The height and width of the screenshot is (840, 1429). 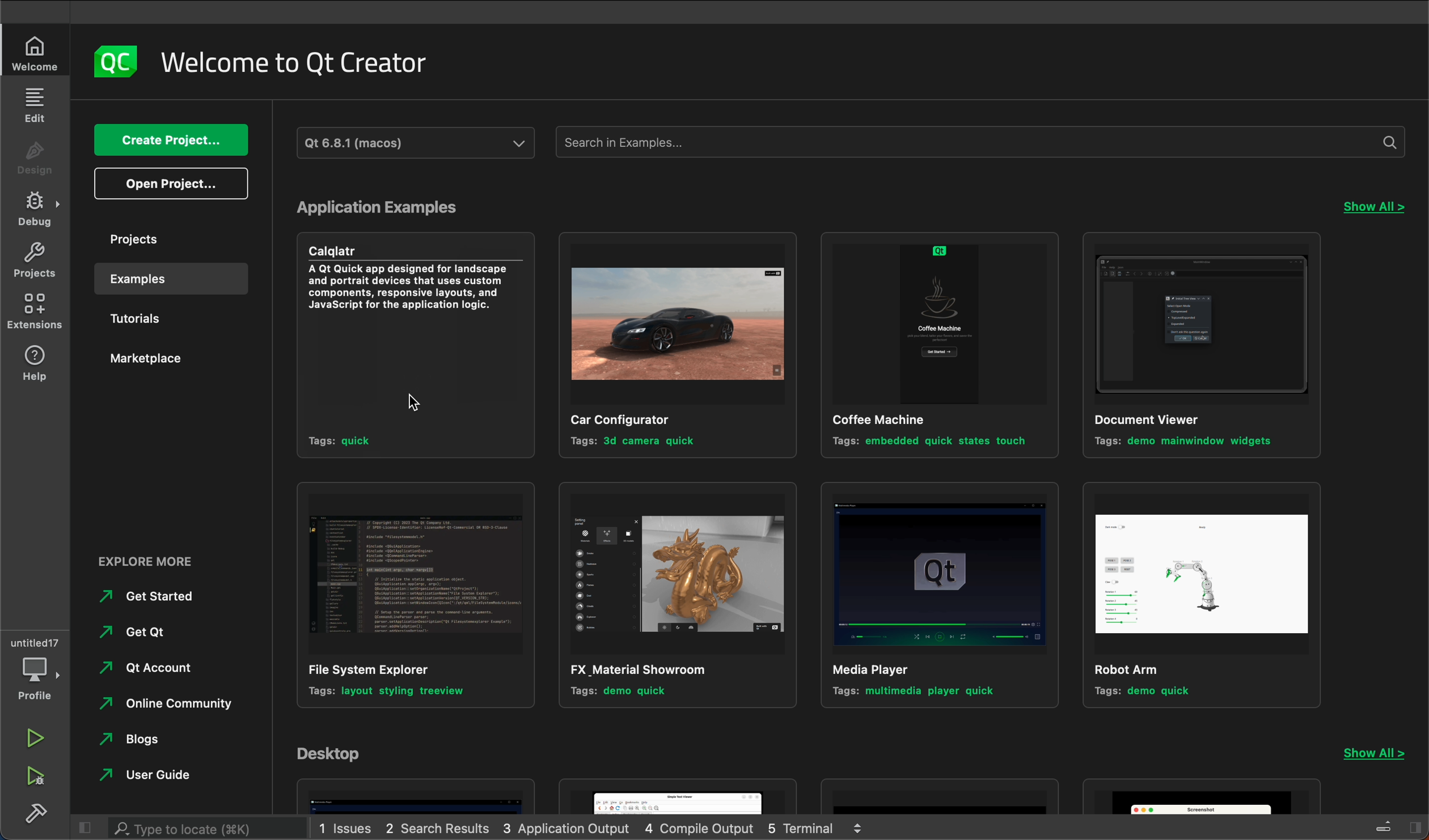 What do you see at coordinates (824, 829) in the screenshot?
I see `terminal` at bounding box center [824, 829].